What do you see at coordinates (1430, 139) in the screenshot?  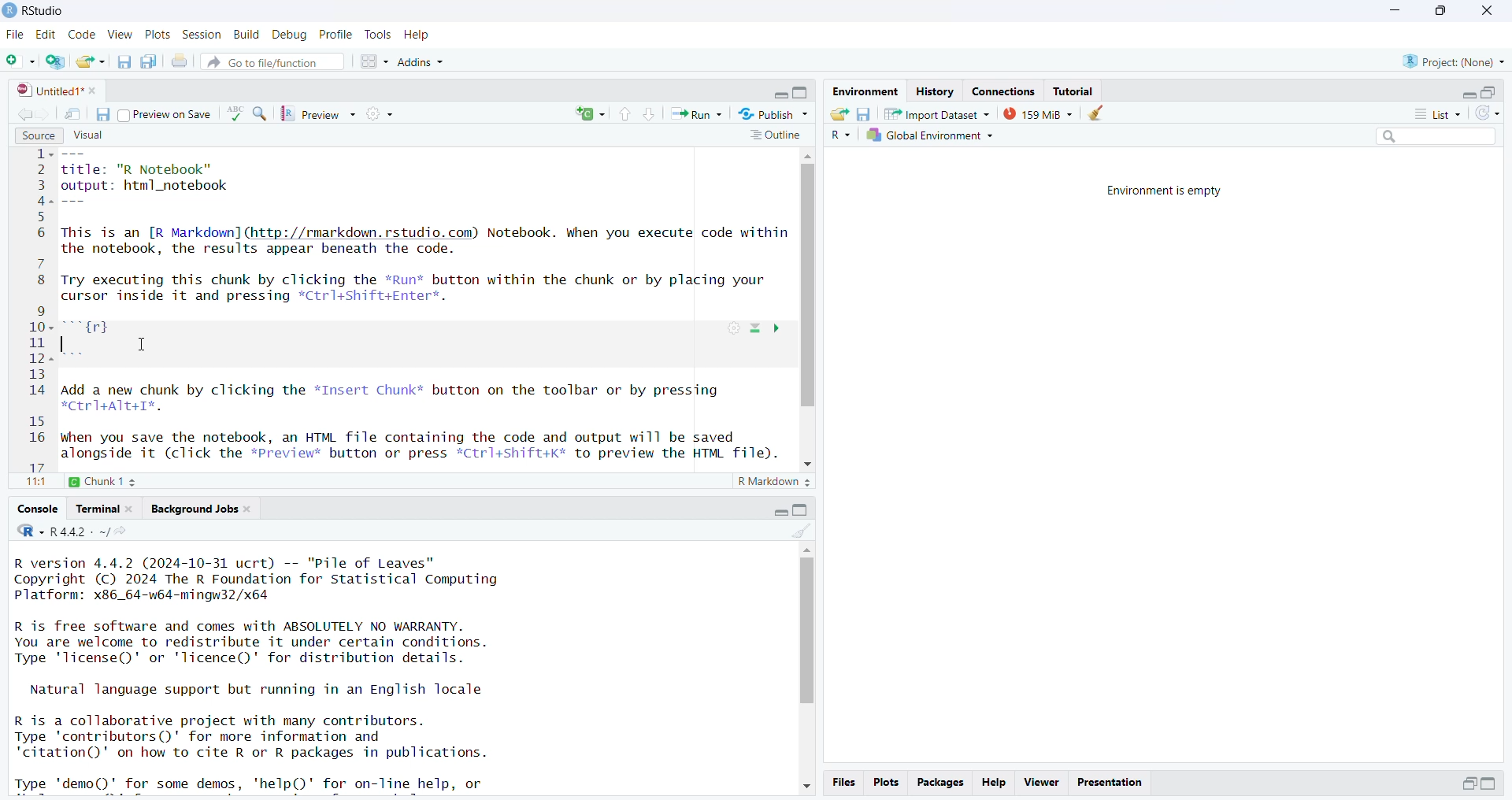 I see `search` at bounding box center [1430, 139].